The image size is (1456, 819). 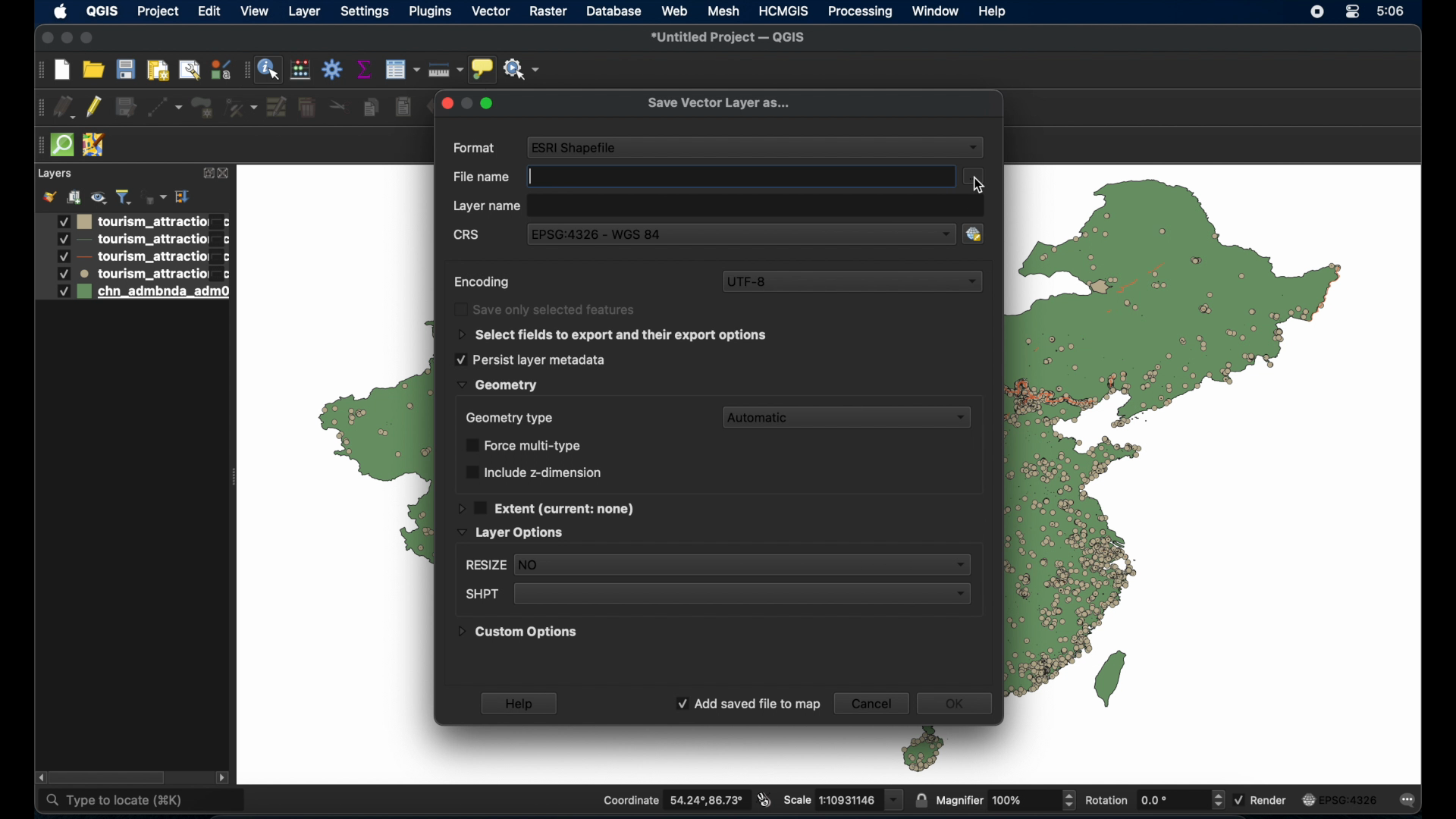 I want to click on raster, so click(x=548, y=11).